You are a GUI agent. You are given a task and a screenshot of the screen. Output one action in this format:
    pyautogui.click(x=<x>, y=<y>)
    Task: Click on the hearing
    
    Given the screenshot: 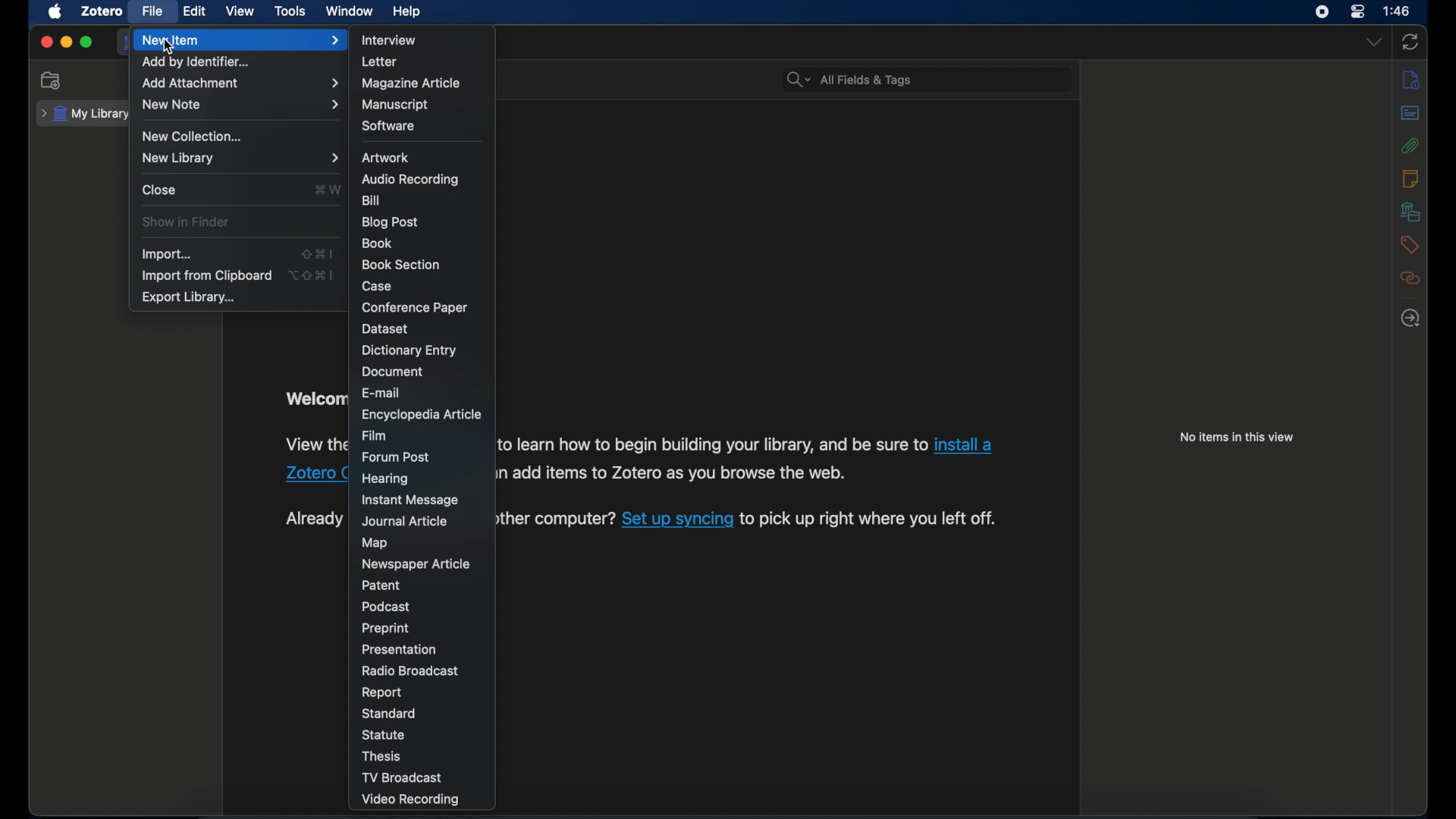 What is the action you would take?
    pyautogui.click(x=386, y=479)
    